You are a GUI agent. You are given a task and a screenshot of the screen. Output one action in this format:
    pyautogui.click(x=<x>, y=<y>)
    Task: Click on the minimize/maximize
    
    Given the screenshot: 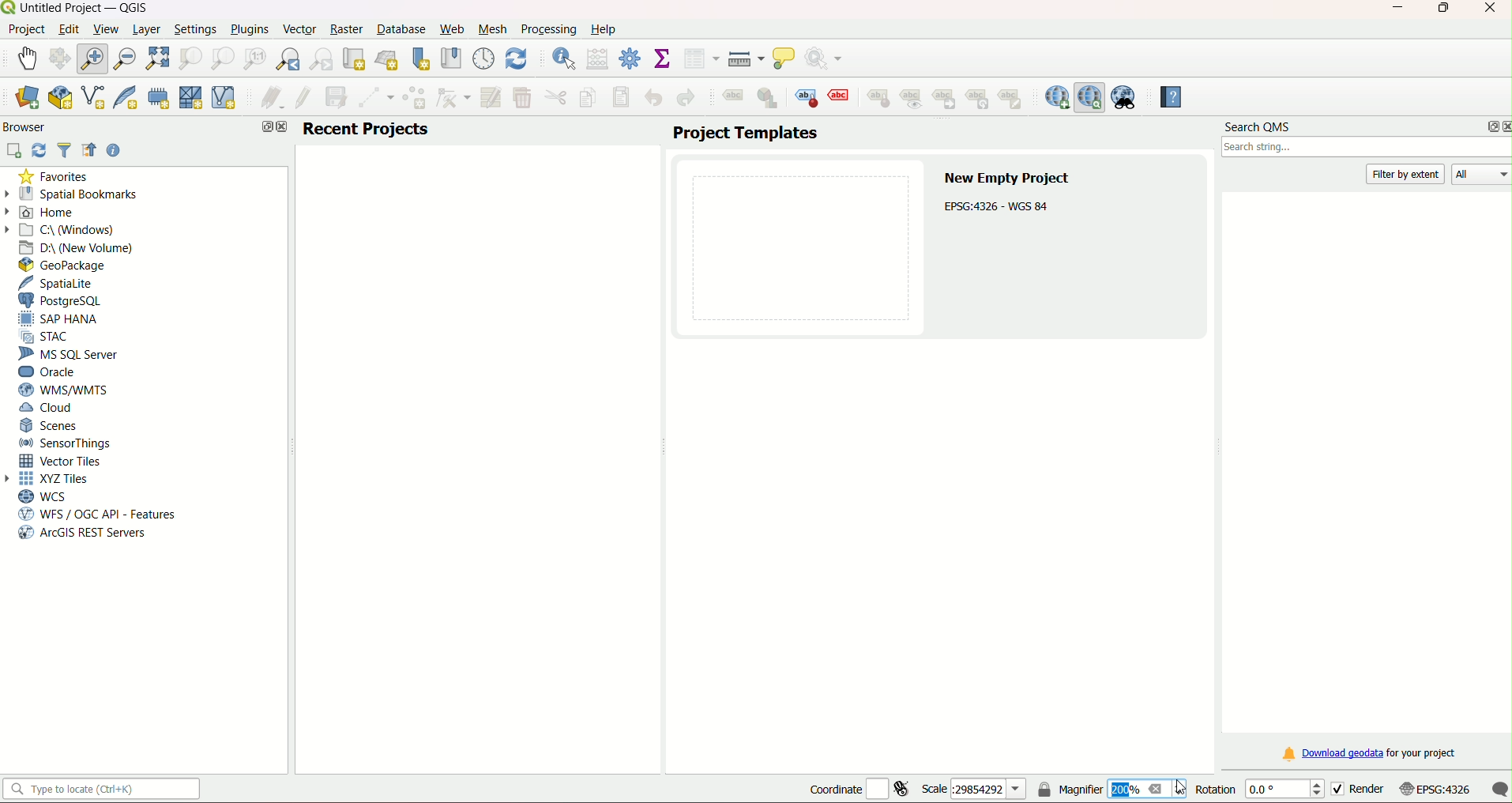 What is the action you would take?
    pyautogui.click(x=1442, y=9)
    